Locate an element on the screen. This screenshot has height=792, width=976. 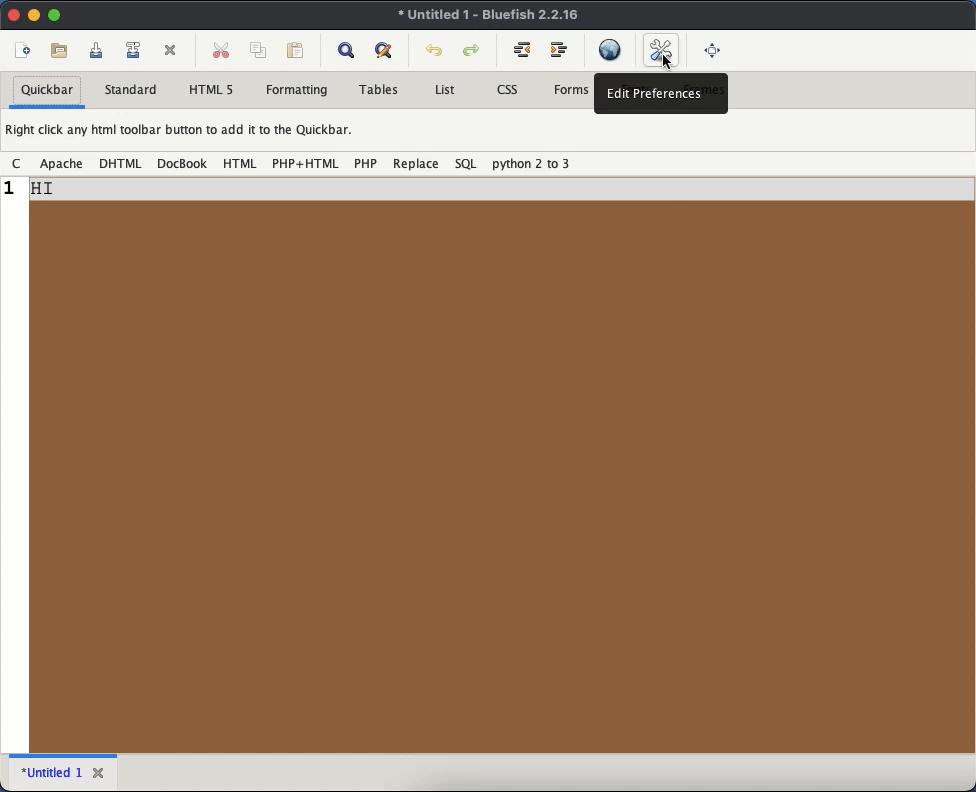
advanced find and replace is located at coordinates (385, 51).